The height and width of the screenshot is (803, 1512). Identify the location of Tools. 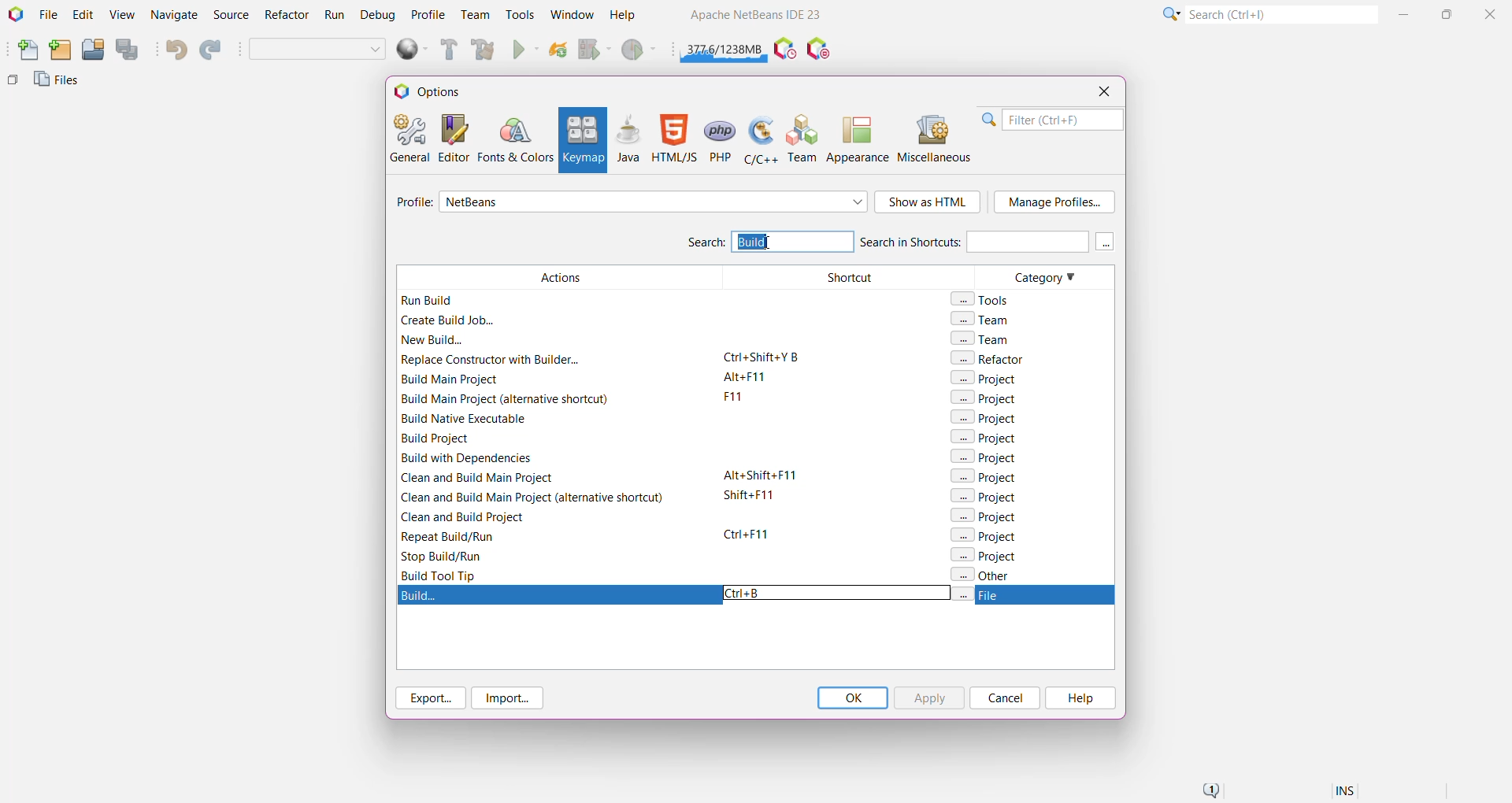
(521, 13).